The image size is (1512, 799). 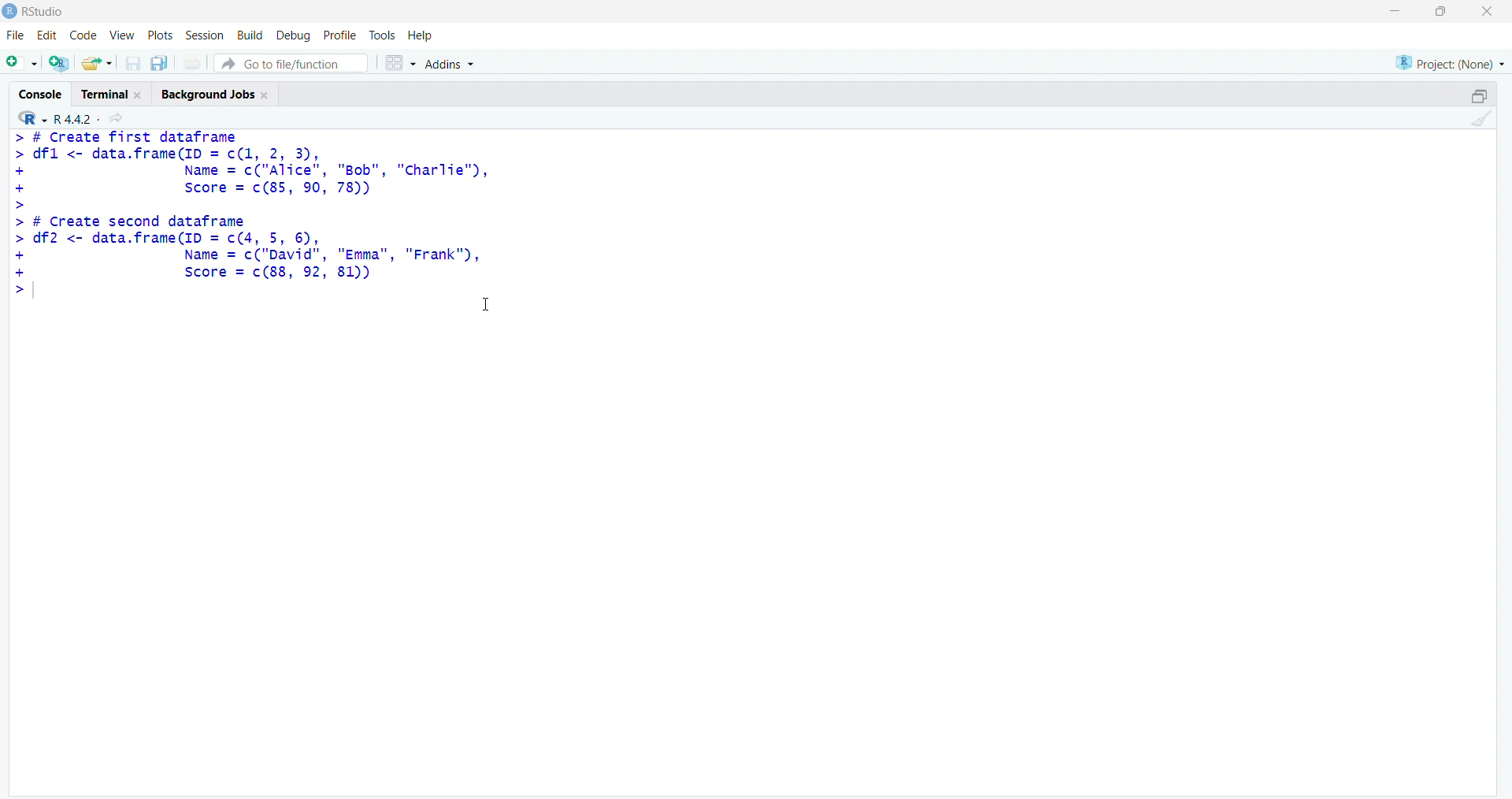 What do you see at coordinates (193, 63) in the screenshot?
I see `print` at bounding box center [193, 63].